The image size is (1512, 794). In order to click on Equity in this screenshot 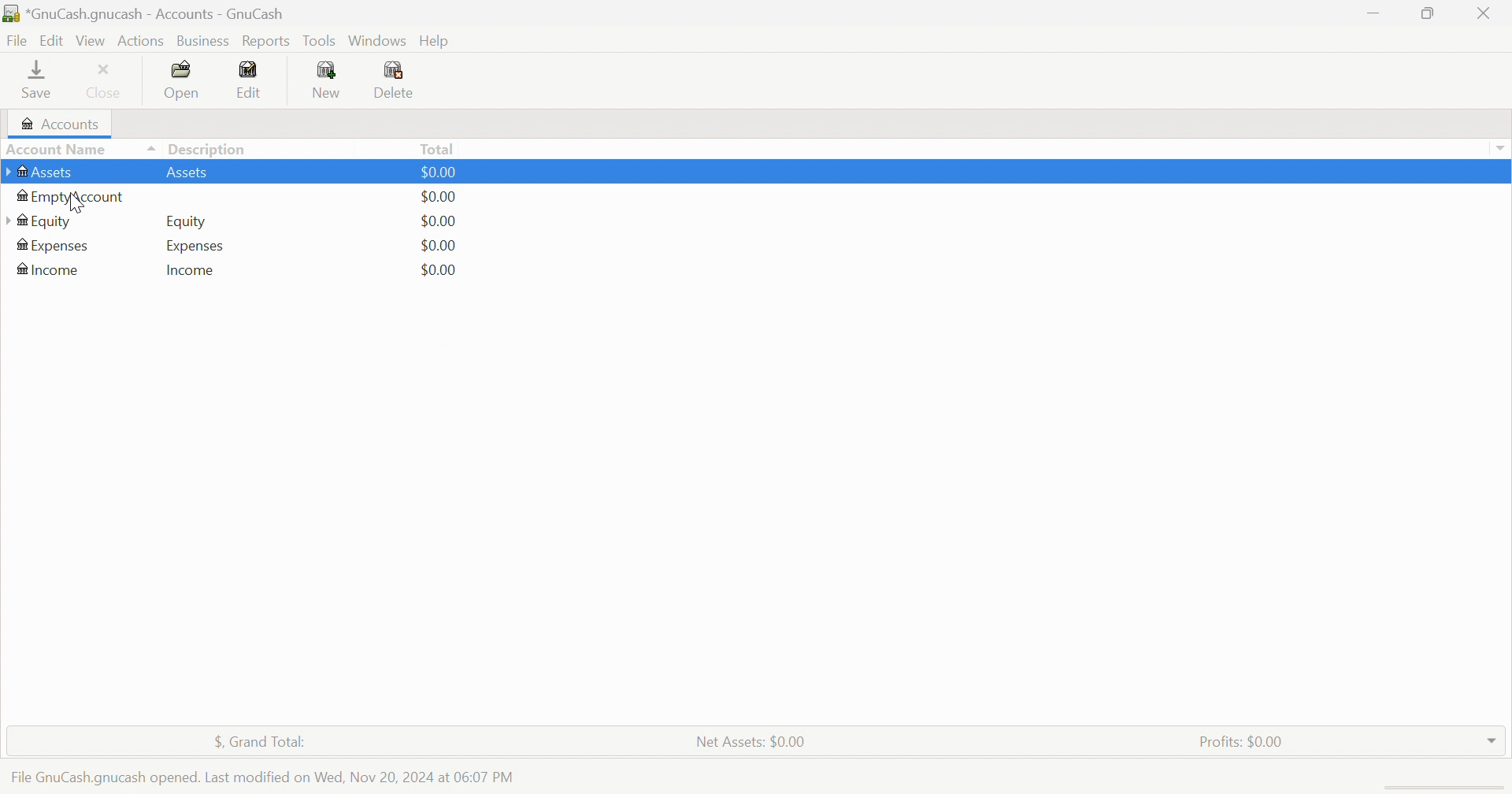, I will do `click(187, 223)`.